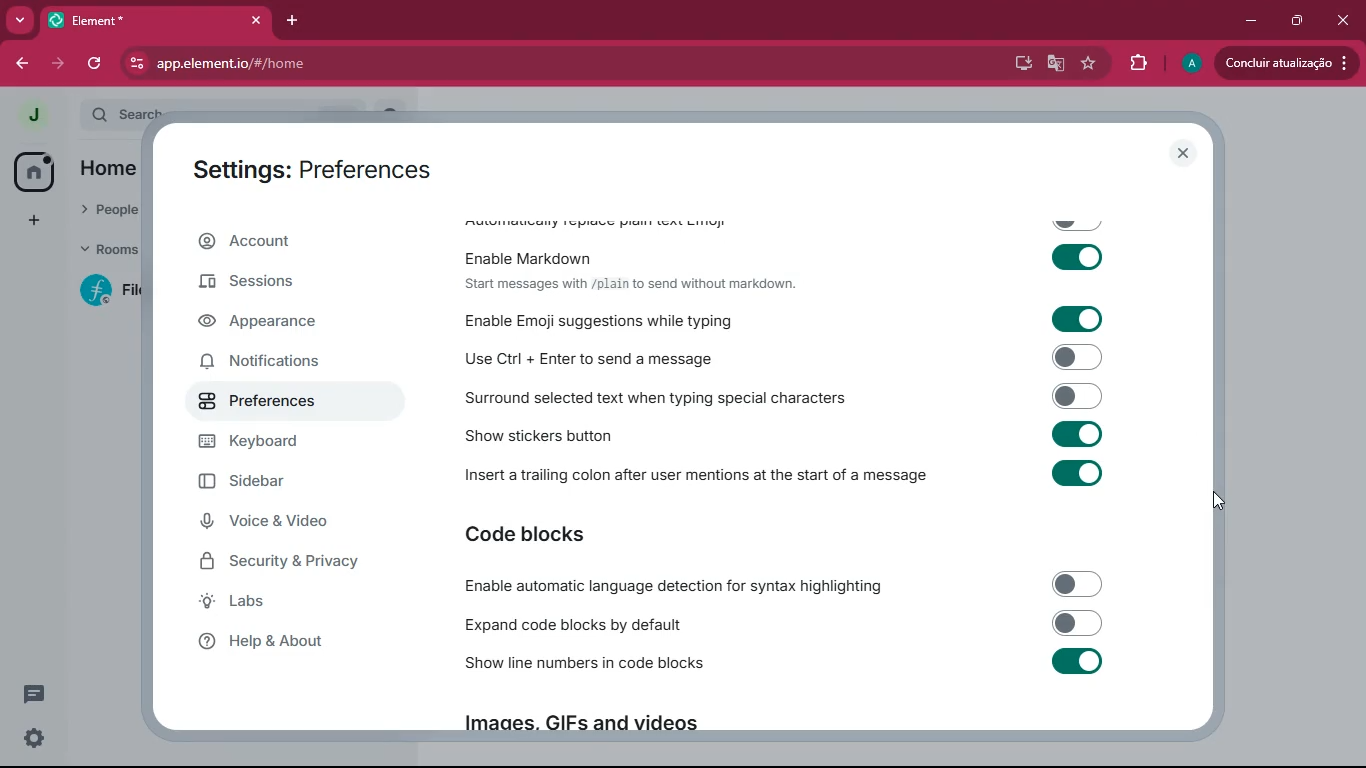  I want to click on Start messages with /plain to send without markdown., so click(630, 284).